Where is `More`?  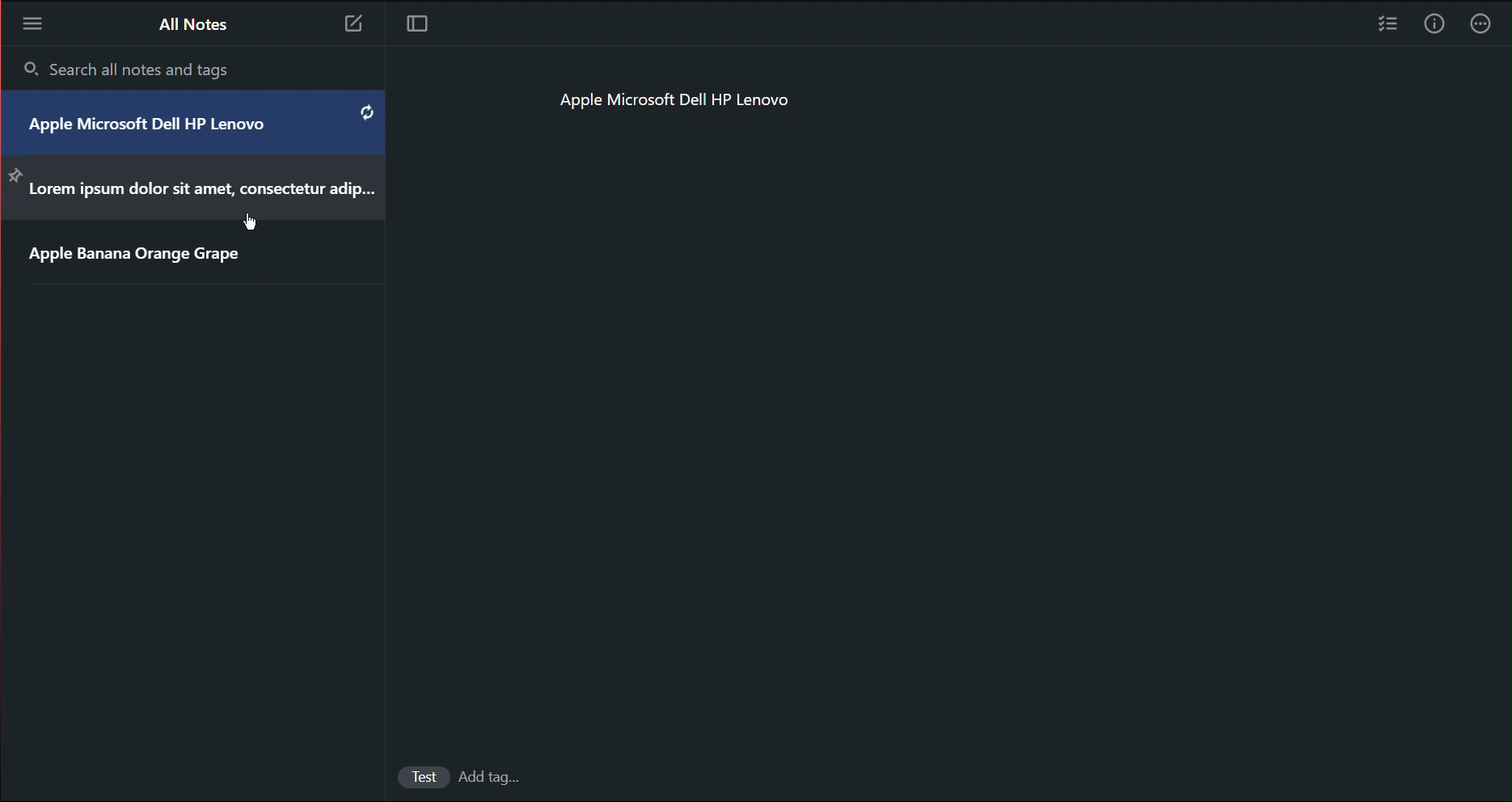 More is located at coordinates (1485, 27).